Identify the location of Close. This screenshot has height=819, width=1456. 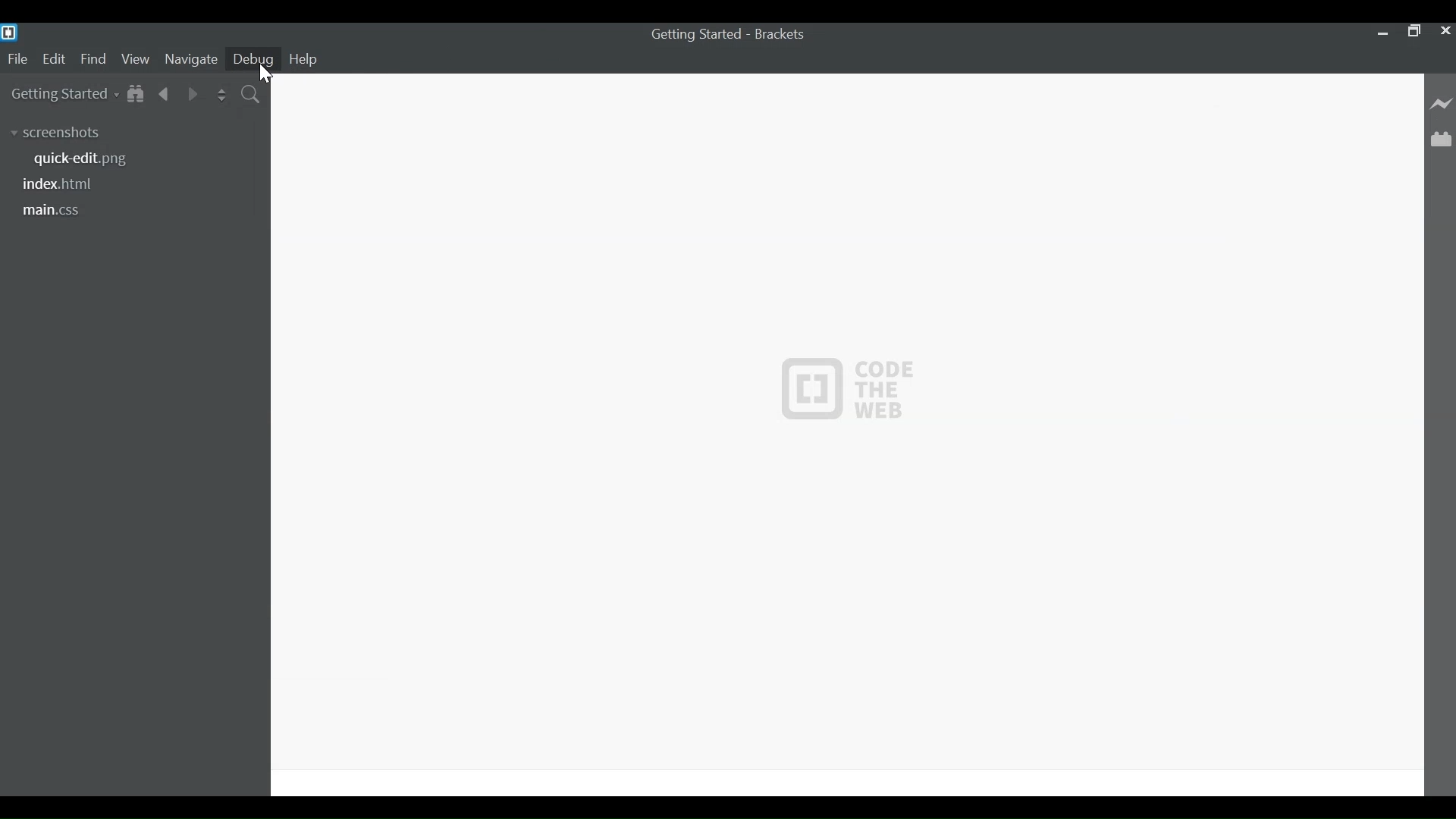
(1444, 30).